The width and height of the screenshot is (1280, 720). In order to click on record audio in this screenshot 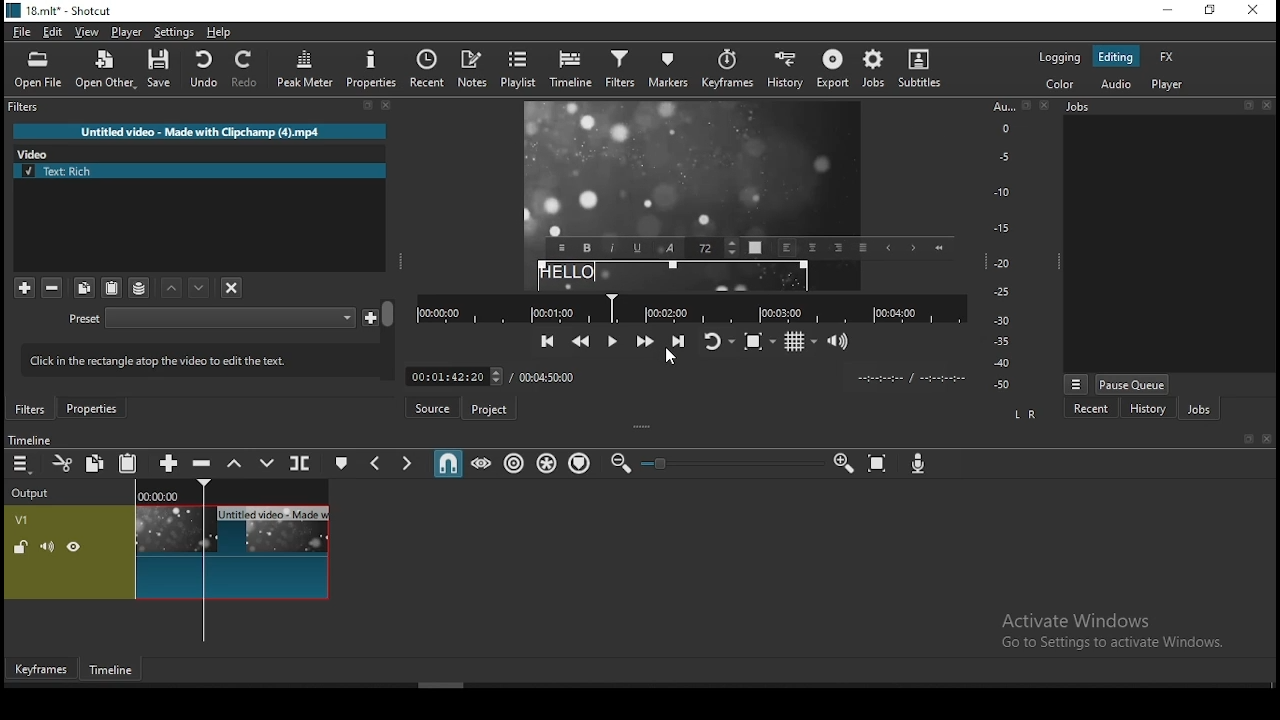, I will do `click(919, 464)`.